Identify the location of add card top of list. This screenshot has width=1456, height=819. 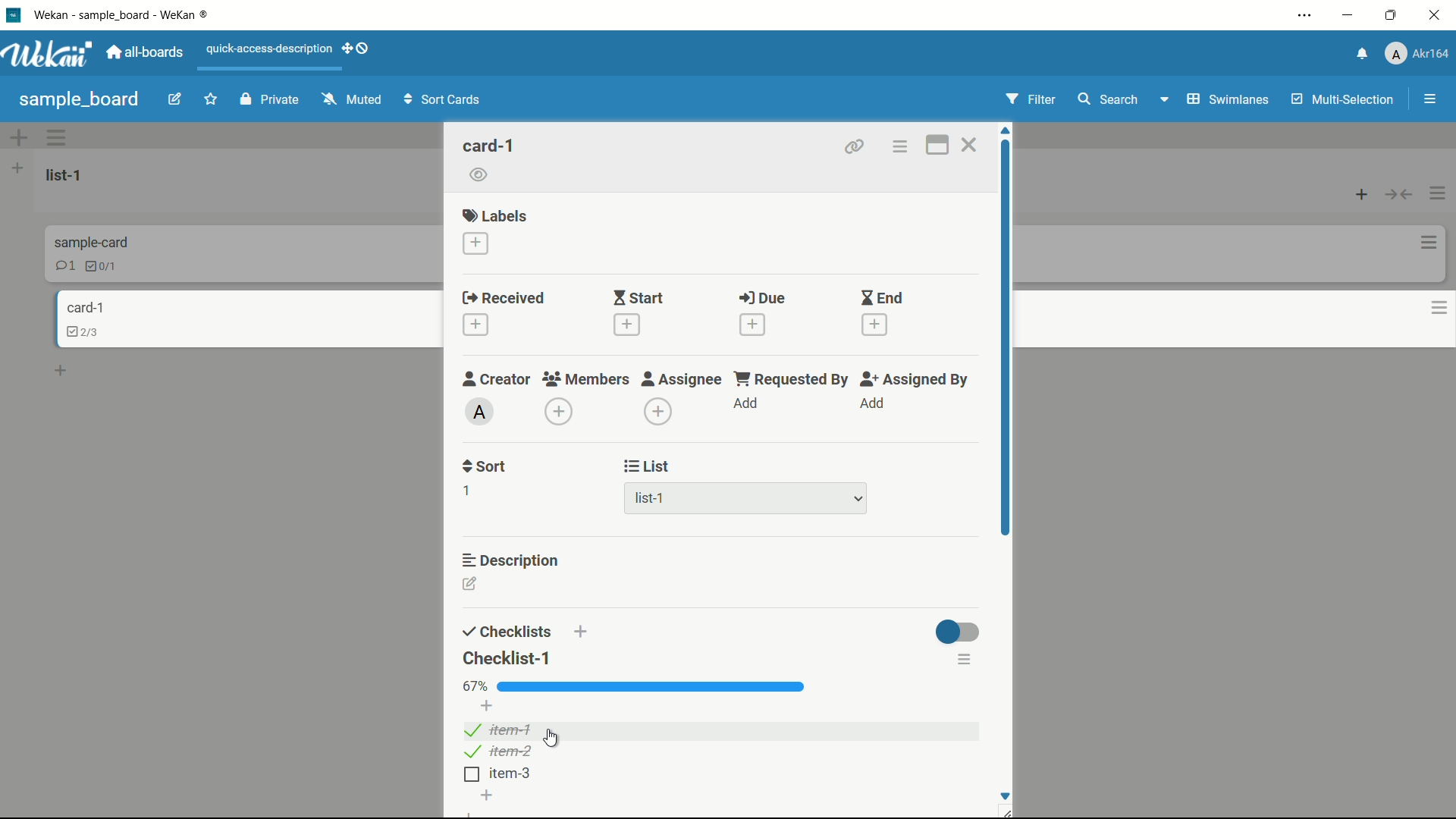
(1358, 193).